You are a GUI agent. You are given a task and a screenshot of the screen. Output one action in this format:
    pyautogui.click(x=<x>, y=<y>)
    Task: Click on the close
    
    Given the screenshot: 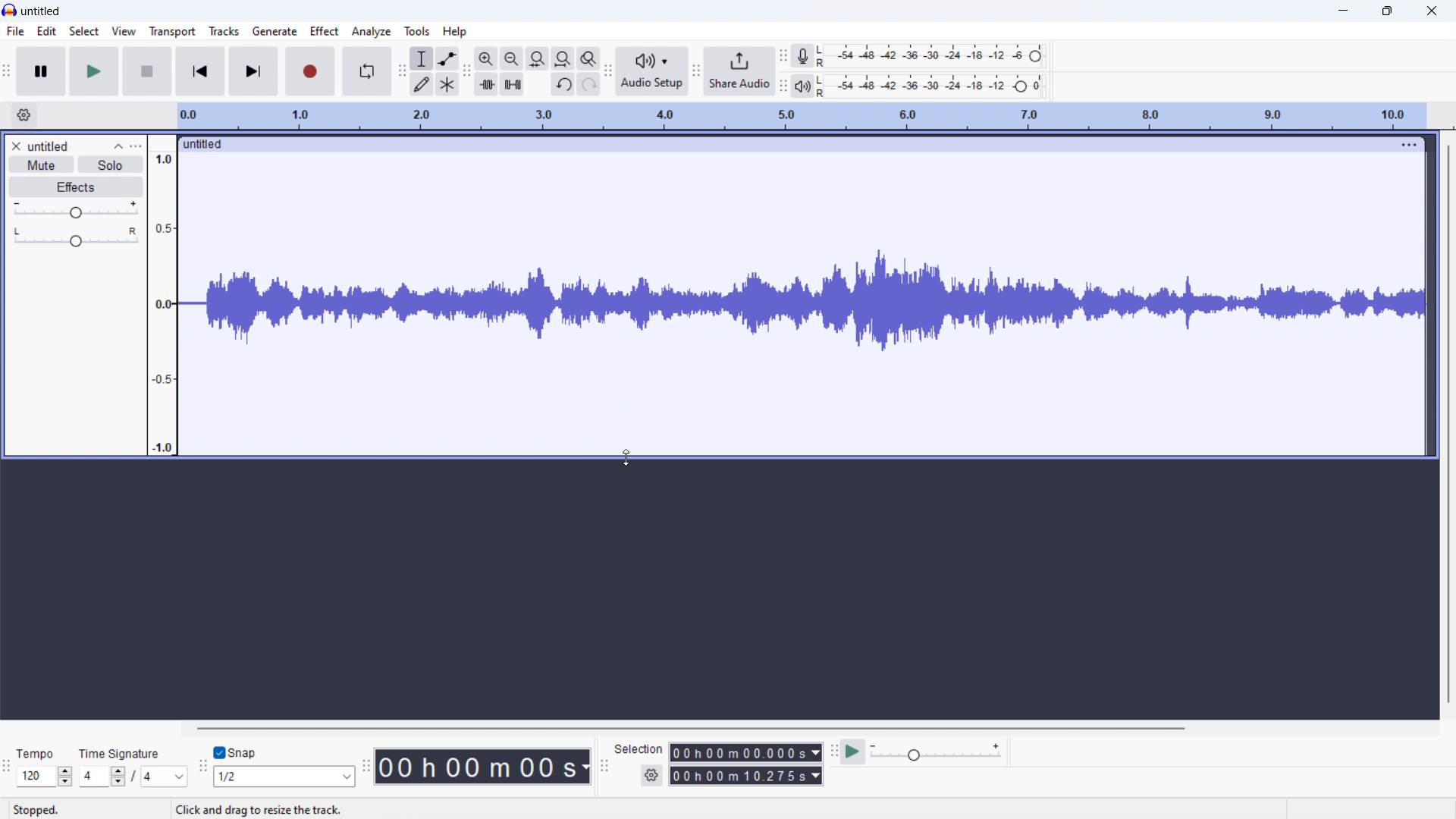 What is the action you would take?
    pyautogui.click(x=1433, y=11)
    